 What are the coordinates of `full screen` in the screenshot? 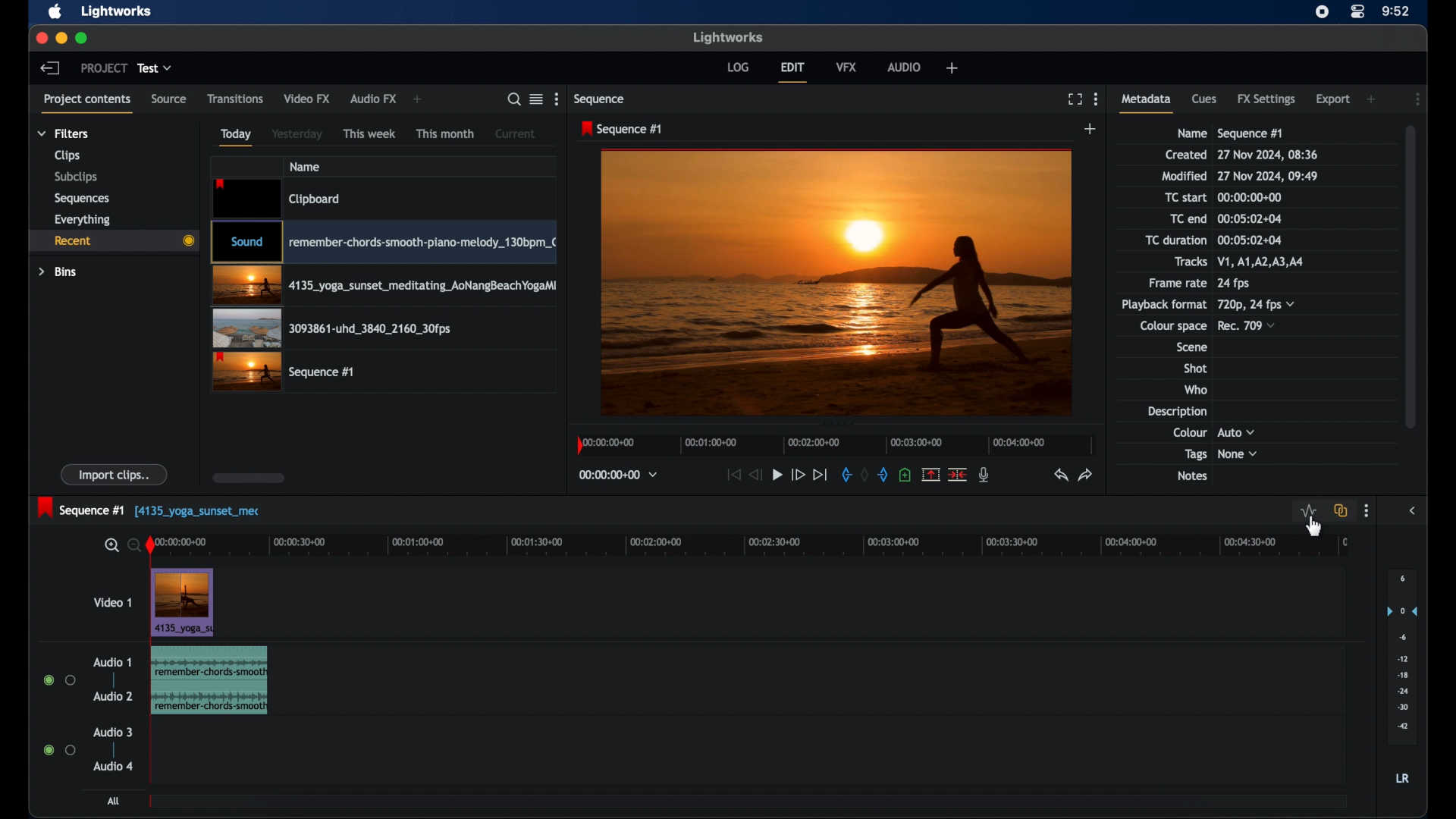 It's located at (1073, 99).